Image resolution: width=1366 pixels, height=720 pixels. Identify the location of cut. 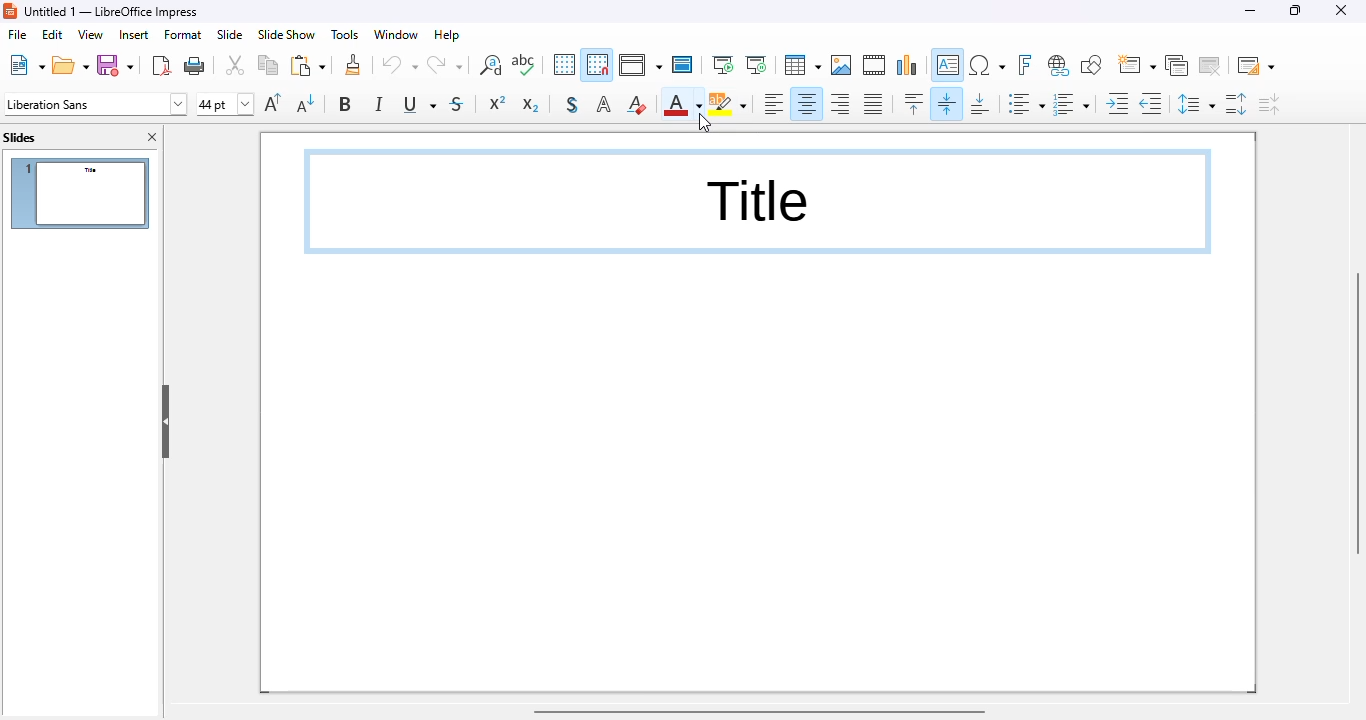
(235, 65).